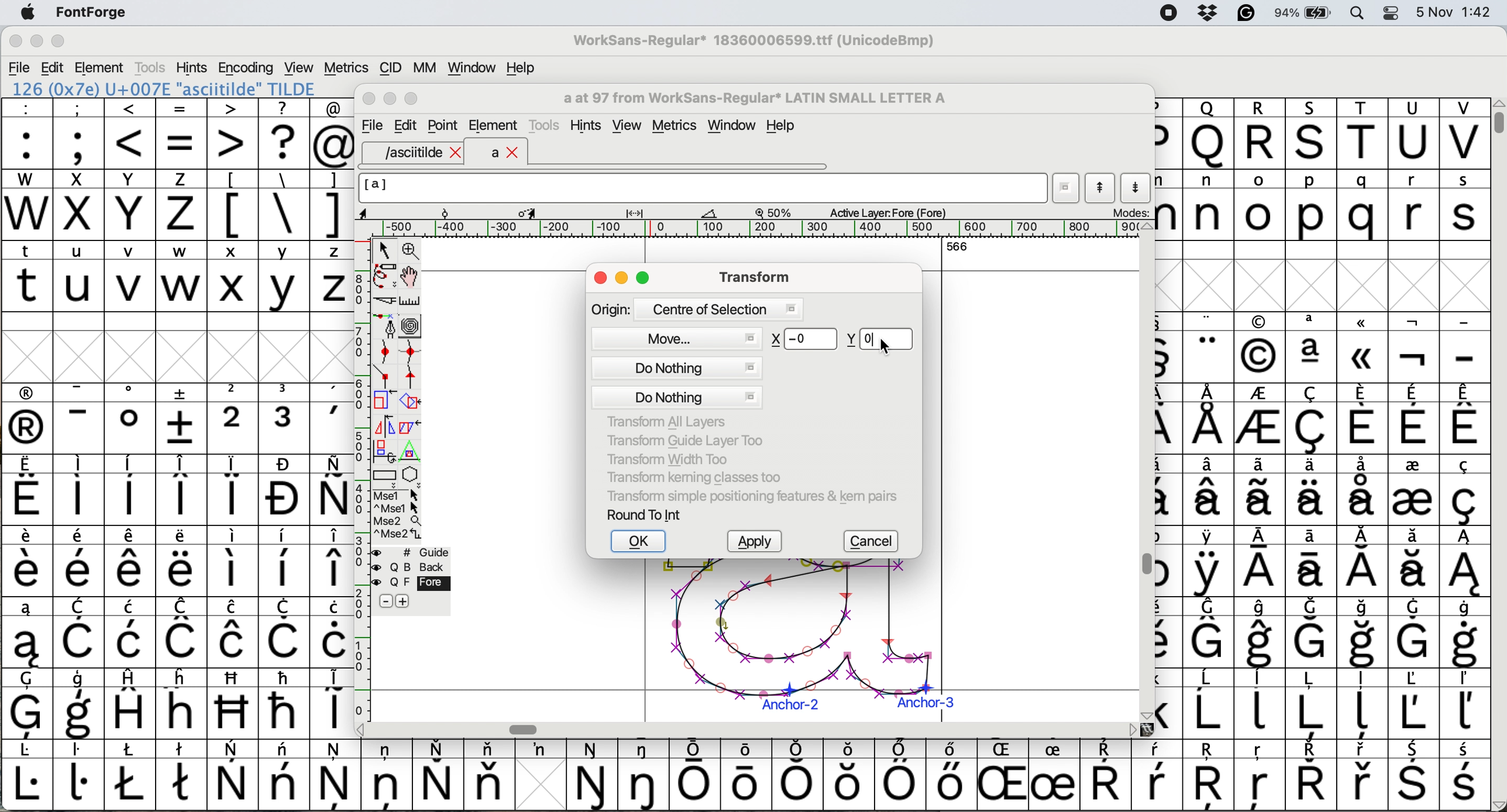  I want to click on symbol, so click(80, 562).